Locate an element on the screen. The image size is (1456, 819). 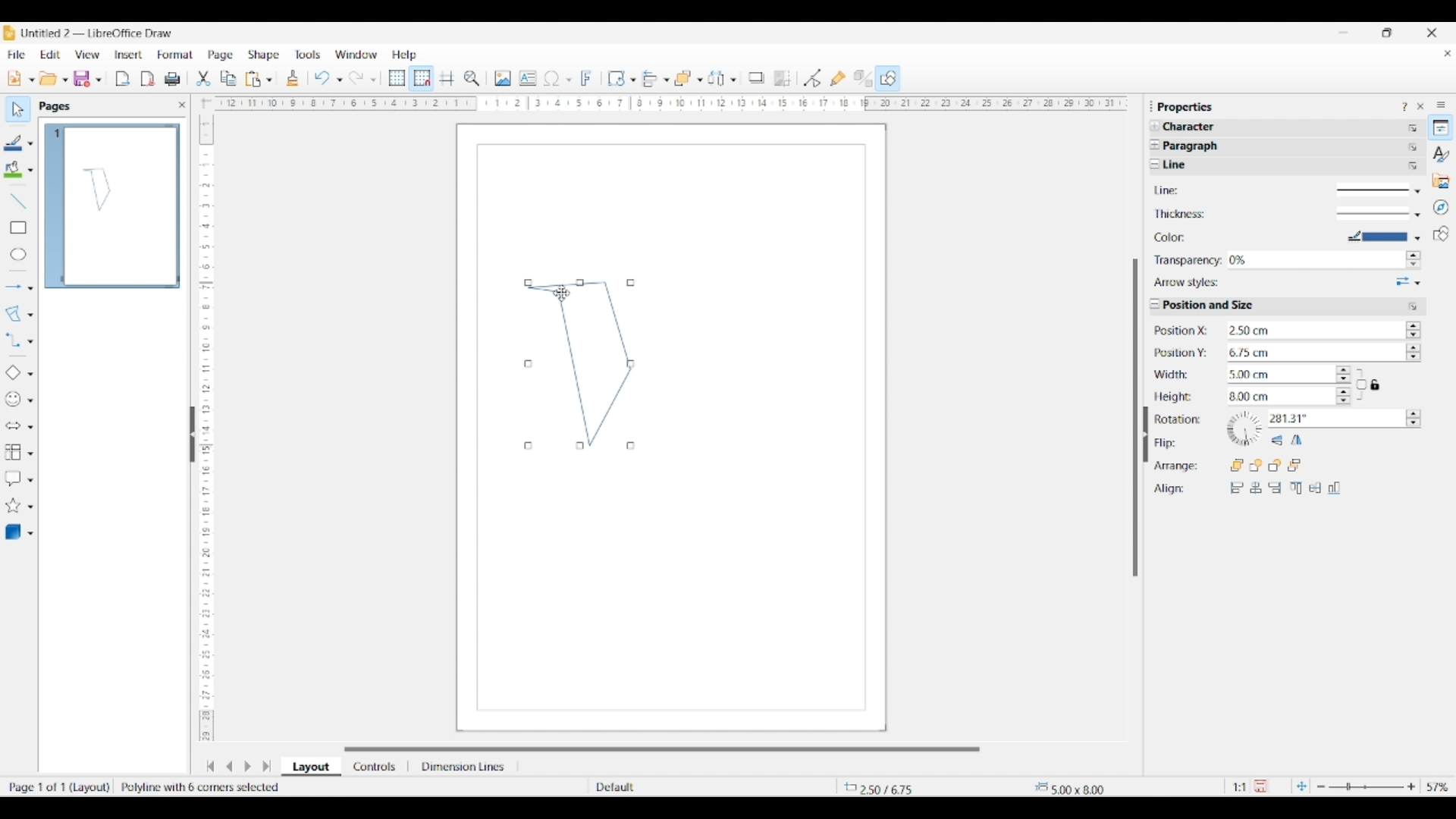
Software logo is located at coordinates (9, 33).